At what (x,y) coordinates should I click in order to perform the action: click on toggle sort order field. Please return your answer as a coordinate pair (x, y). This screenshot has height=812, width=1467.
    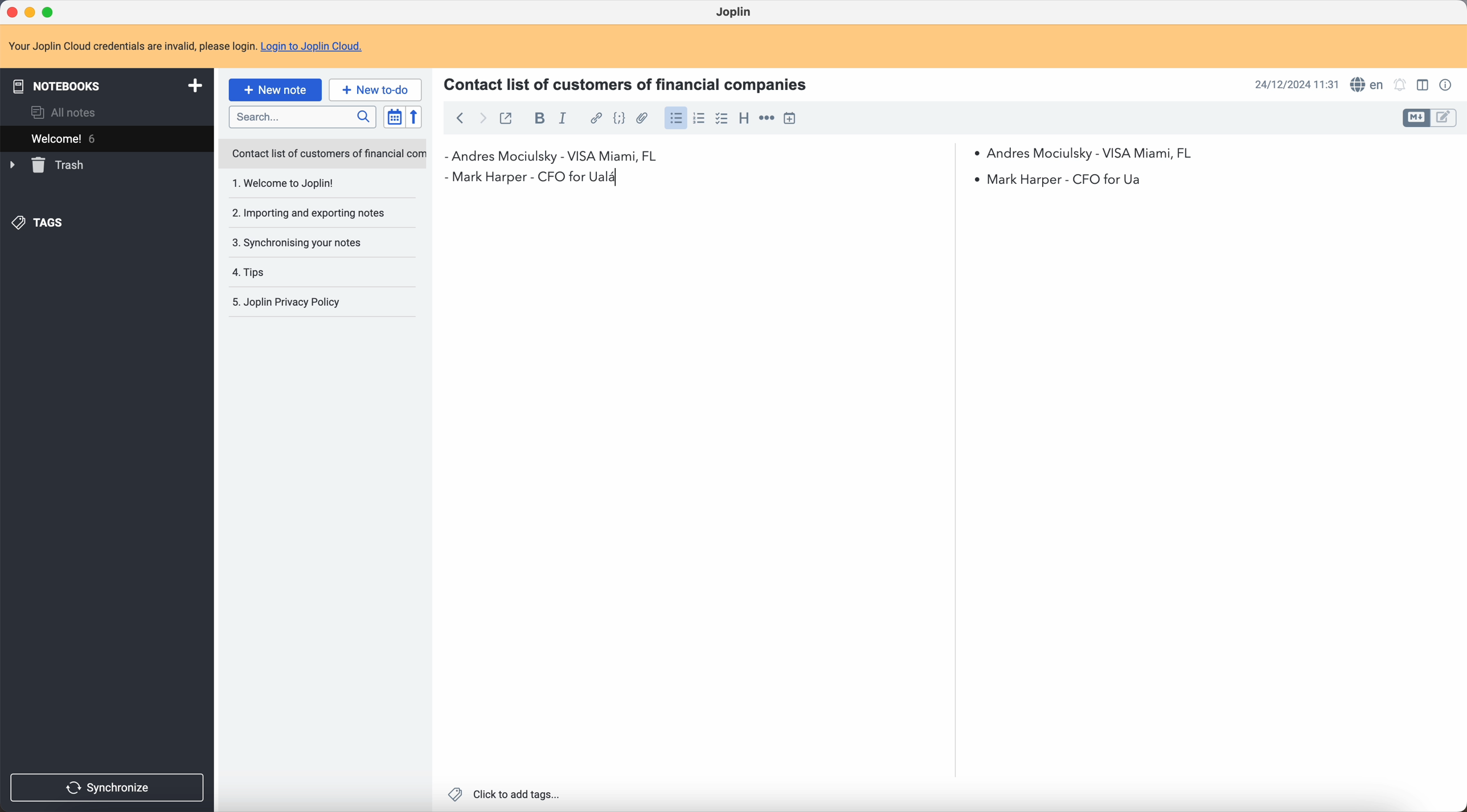
    Looking at the image, I should click on (392, 117).